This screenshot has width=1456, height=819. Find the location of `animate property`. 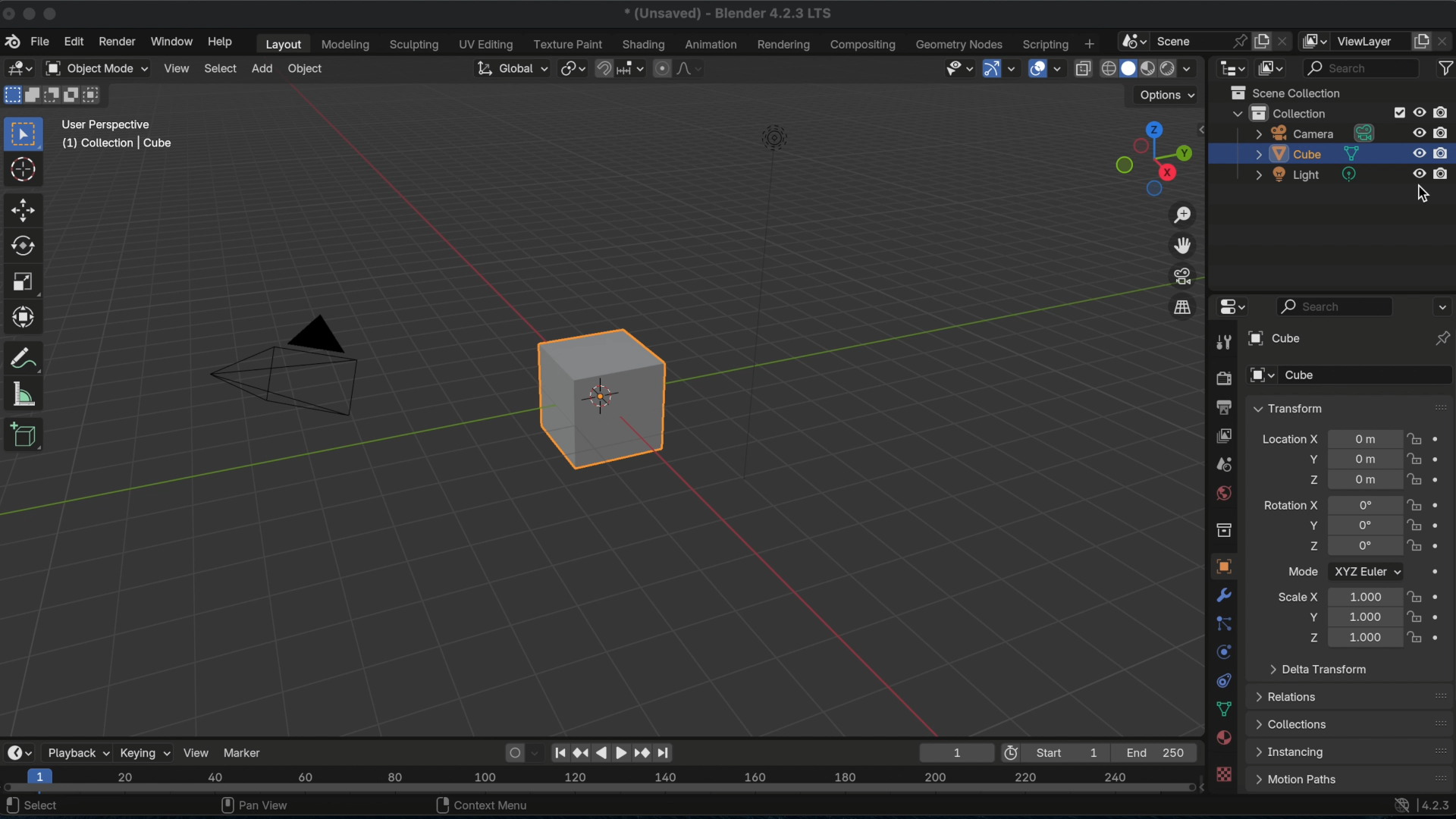

animate property is located at coordinates (1442, 459).